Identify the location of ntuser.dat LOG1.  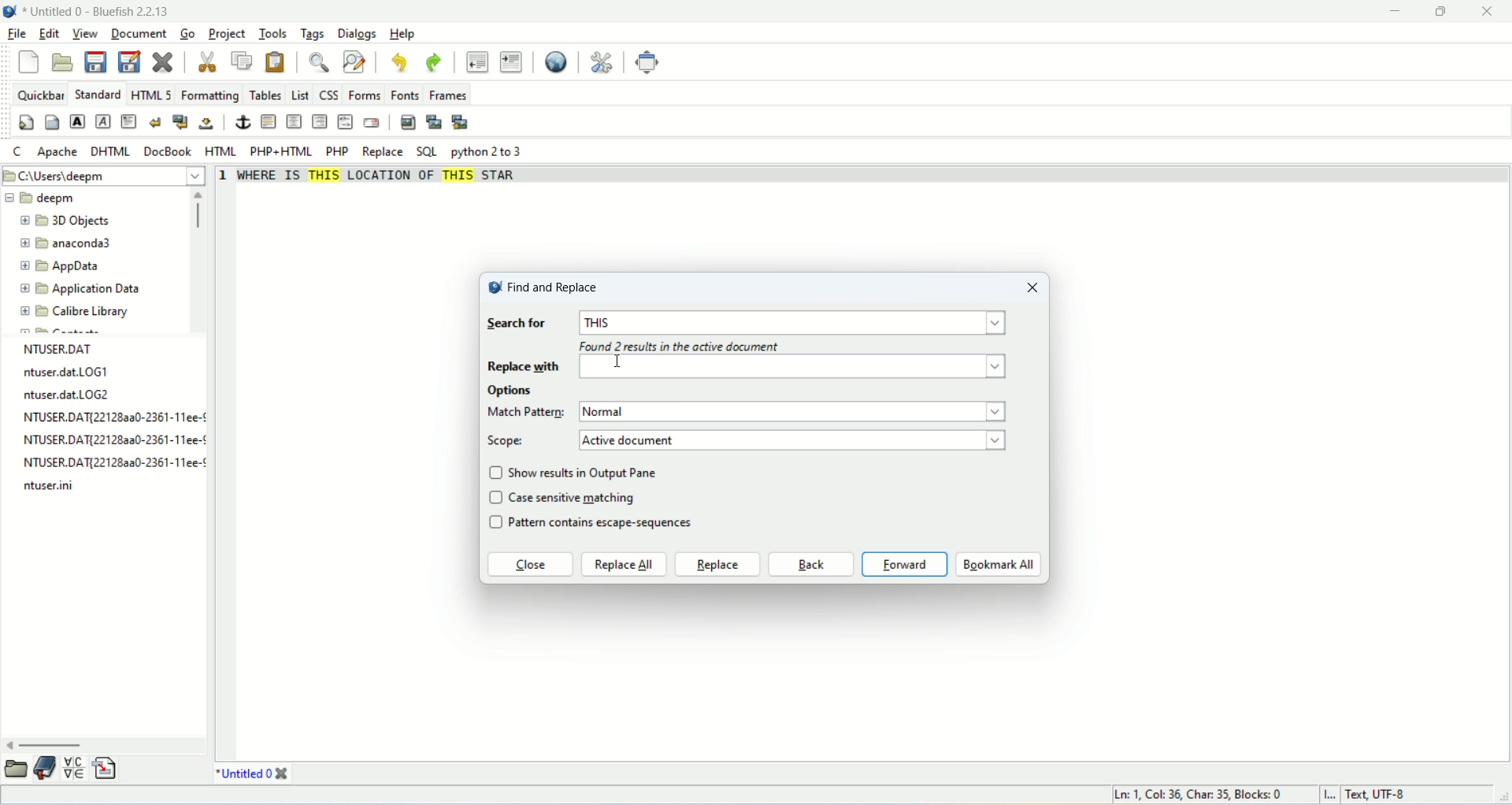
(64, 373).